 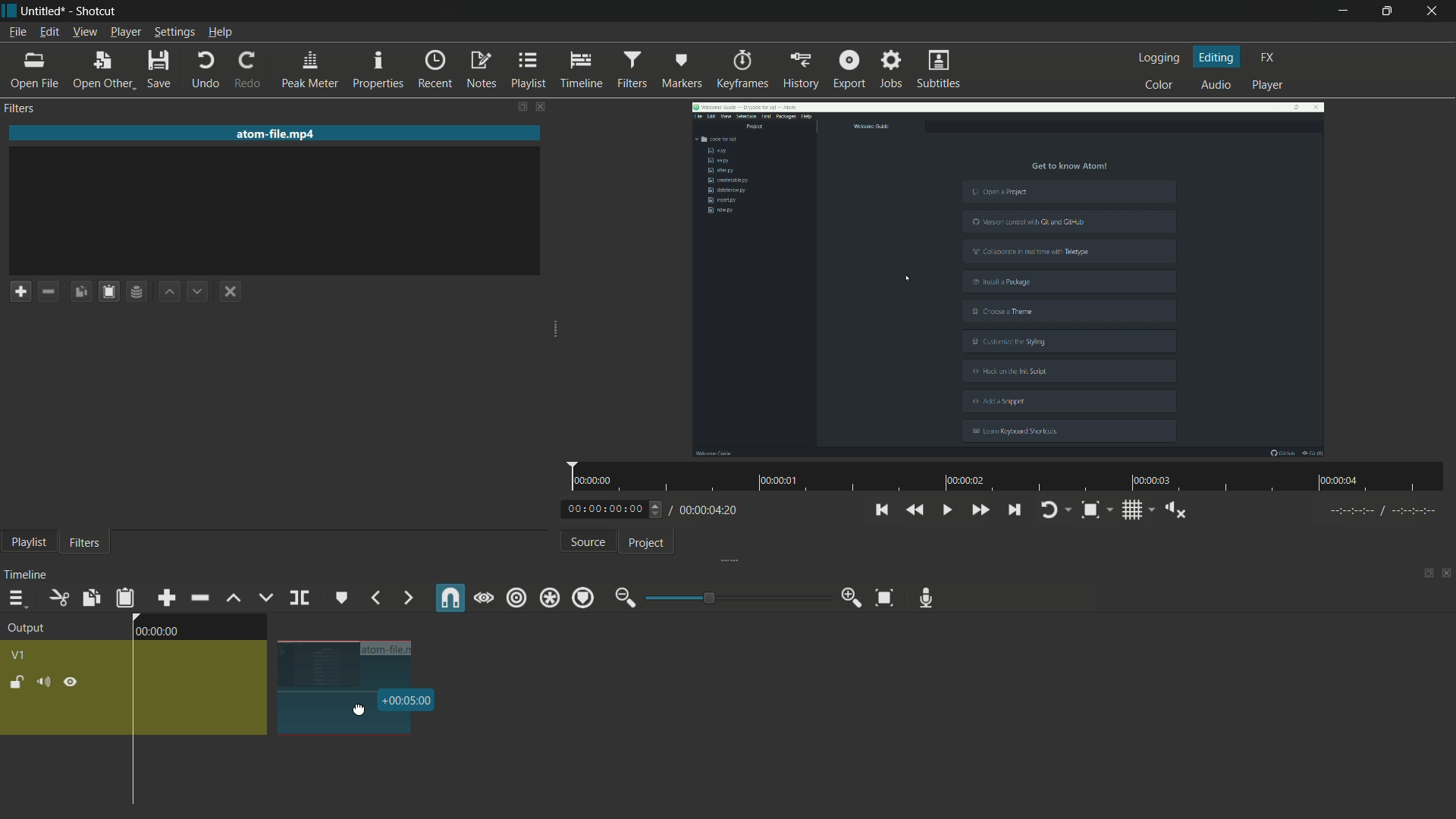 I want to click on create or edit marker, so click(x=339, y=598).